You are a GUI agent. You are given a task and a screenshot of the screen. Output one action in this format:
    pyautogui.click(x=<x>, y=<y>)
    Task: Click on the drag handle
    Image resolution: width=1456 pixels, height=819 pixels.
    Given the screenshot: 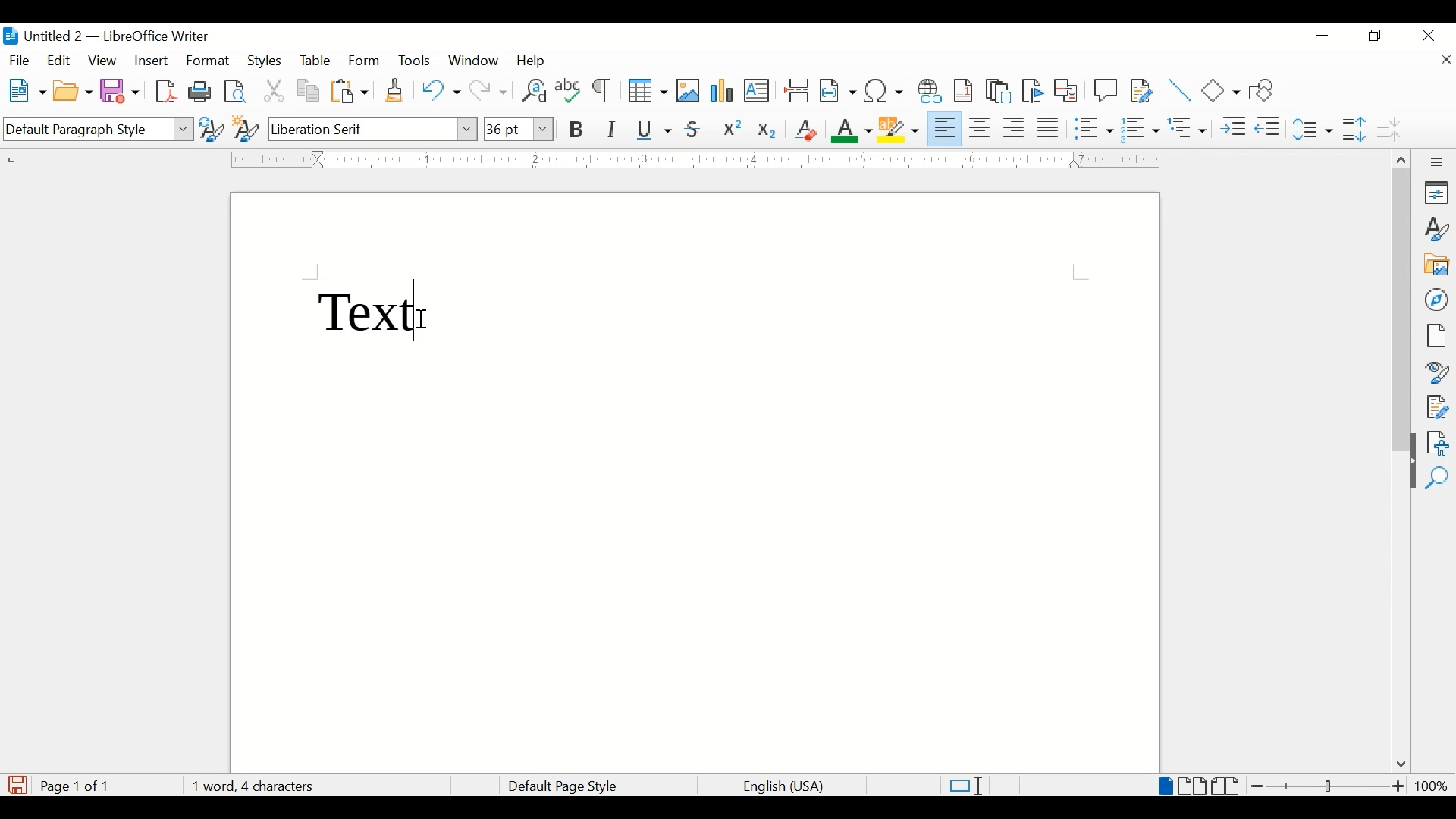 What is the action you would take?
    pyautogui.click(x=1407, y=475)
    